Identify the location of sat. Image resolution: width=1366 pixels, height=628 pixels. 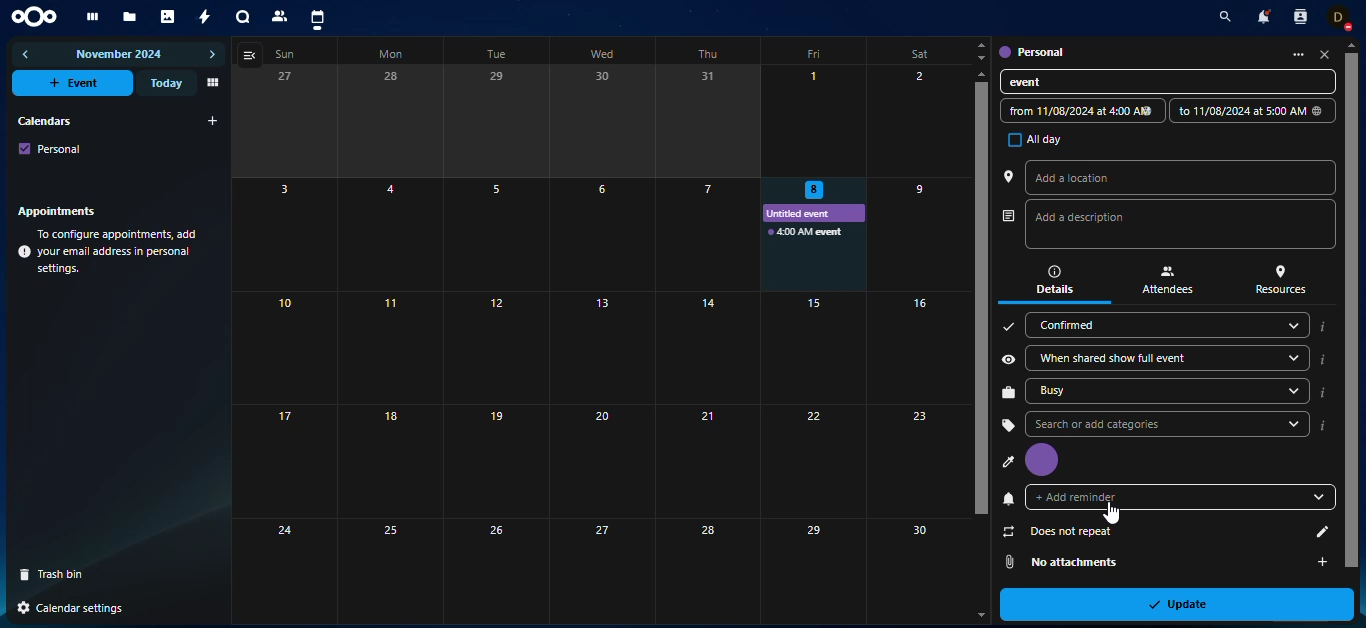
(912, 52).